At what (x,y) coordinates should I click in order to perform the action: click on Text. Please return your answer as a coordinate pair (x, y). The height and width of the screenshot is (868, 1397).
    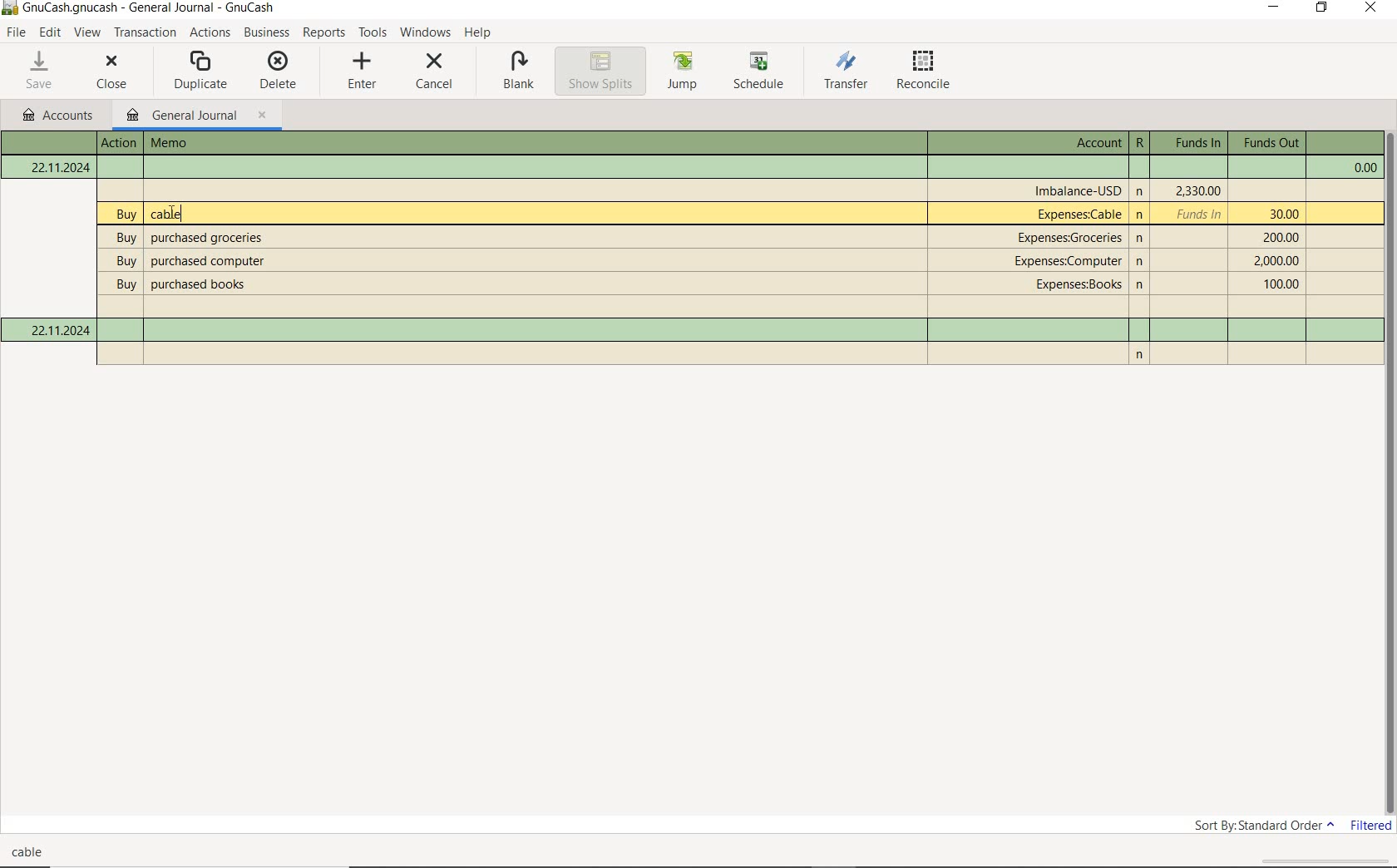
    Looking at the image, I should click on (1079, 190).